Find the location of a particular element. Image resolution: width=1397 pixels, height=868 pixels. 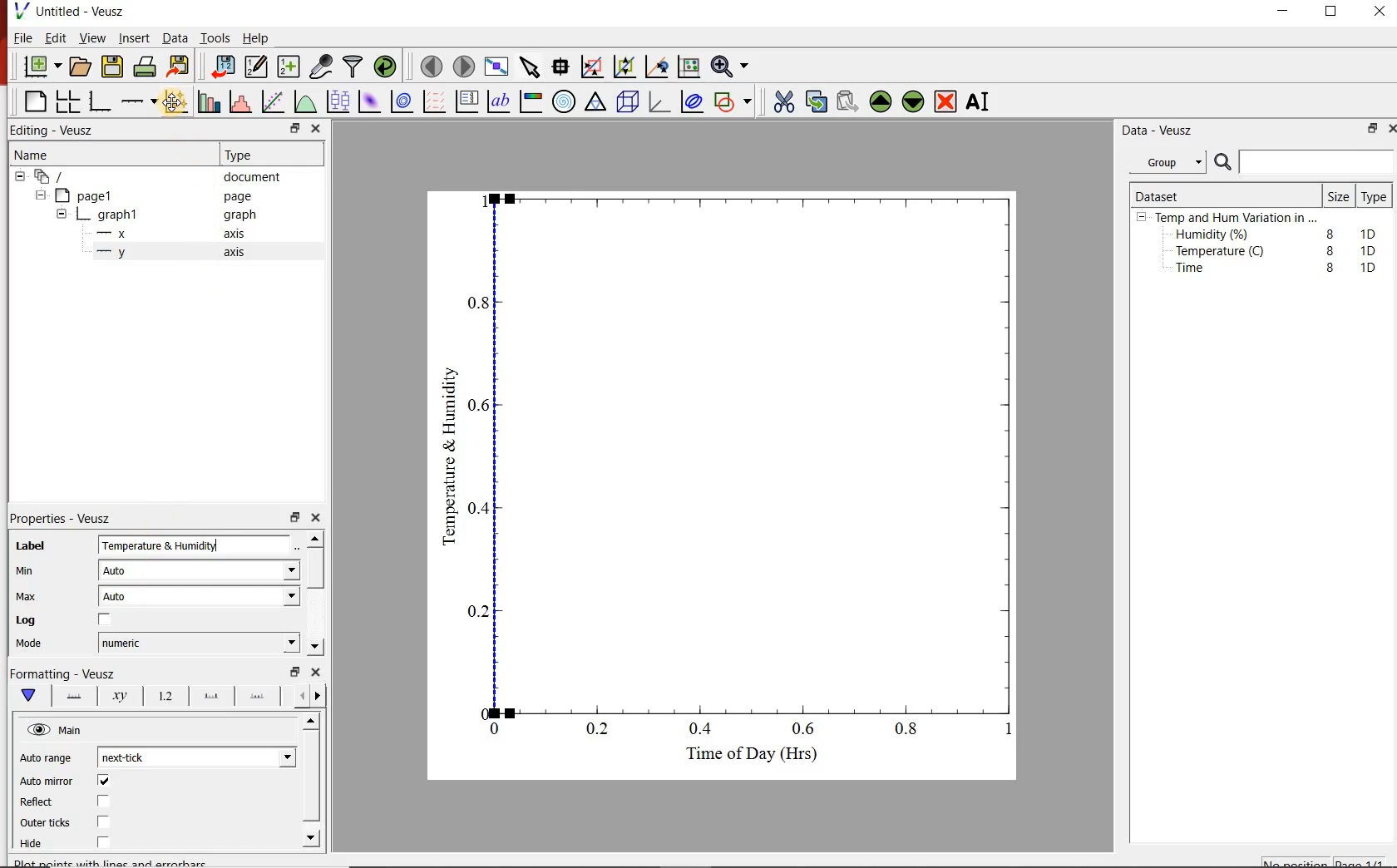

Humidity (%) is located at coordinates (1216, 235).